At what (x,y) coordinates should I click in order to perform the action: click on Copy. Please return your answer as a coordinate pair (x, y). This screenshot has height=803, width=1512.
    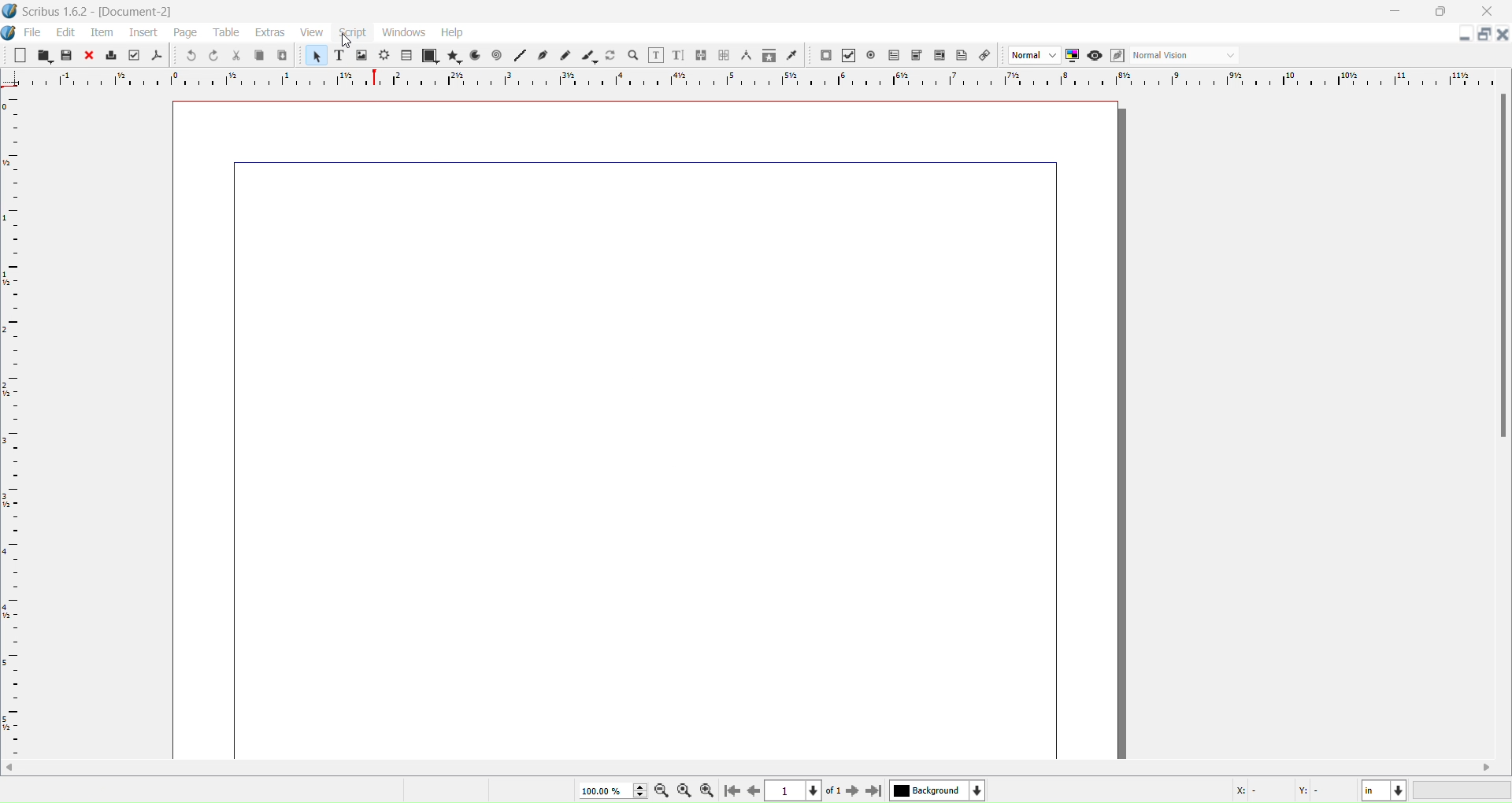
    Looking at the image, I should click on (260, 55).